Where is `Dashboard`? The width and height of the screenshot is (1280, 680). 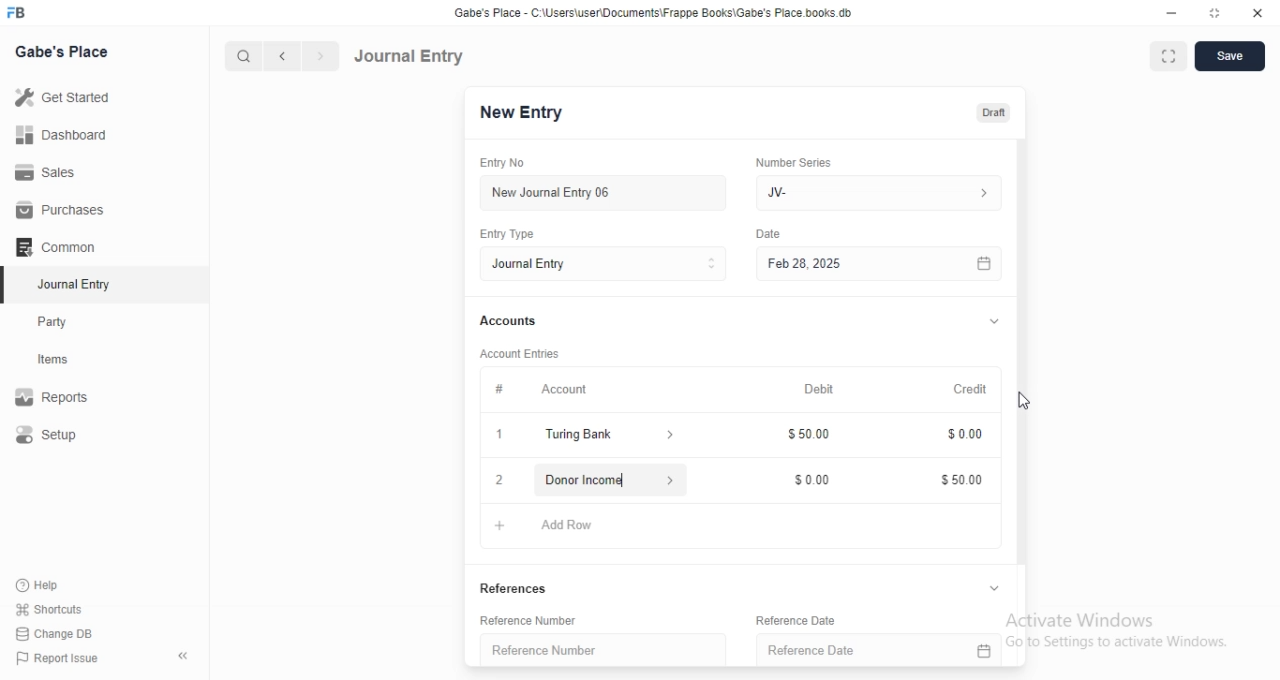
Dashboard is located at coordinates (66, 134).